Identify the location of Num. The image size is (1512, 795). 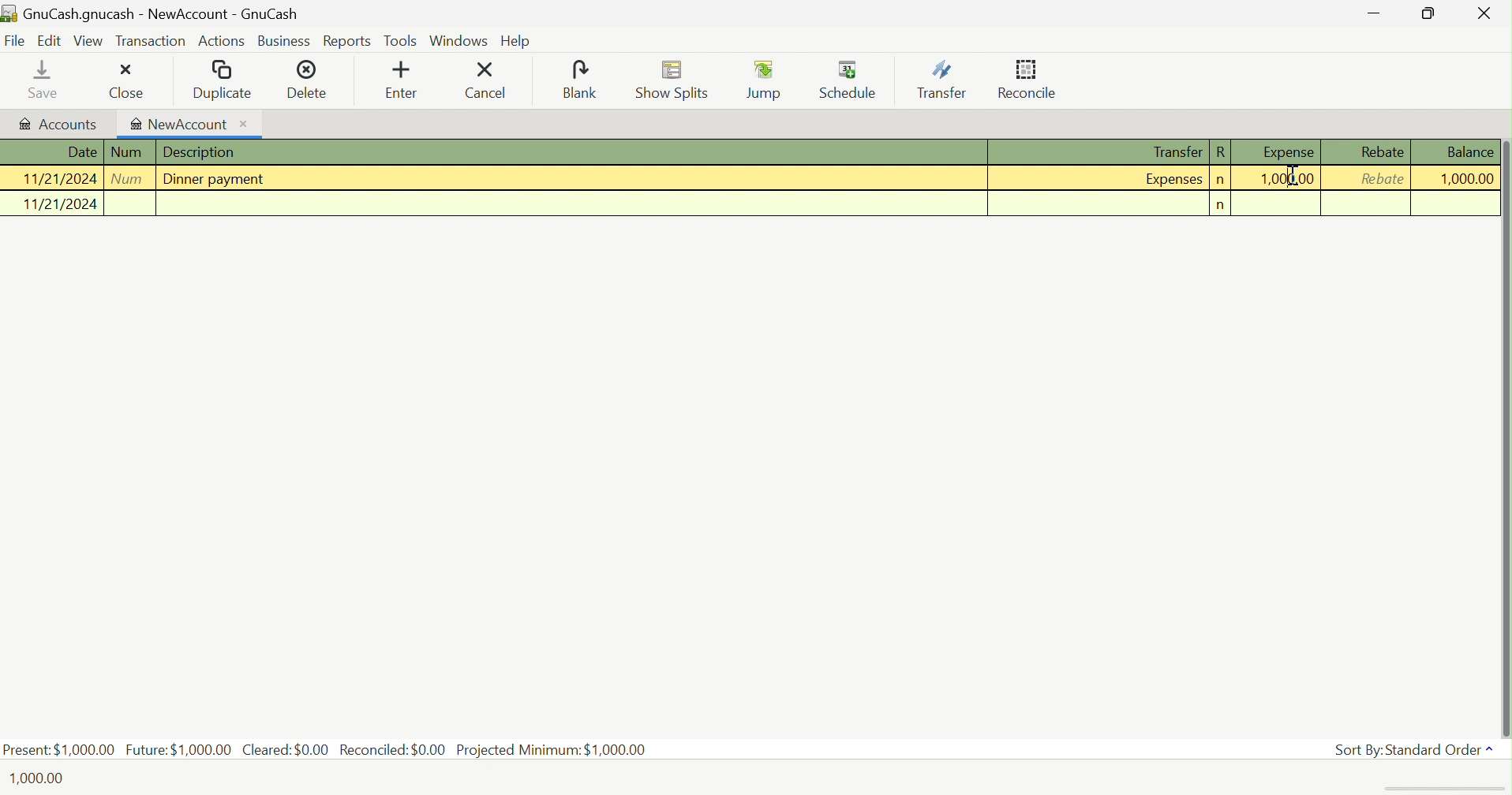
(130, 152).